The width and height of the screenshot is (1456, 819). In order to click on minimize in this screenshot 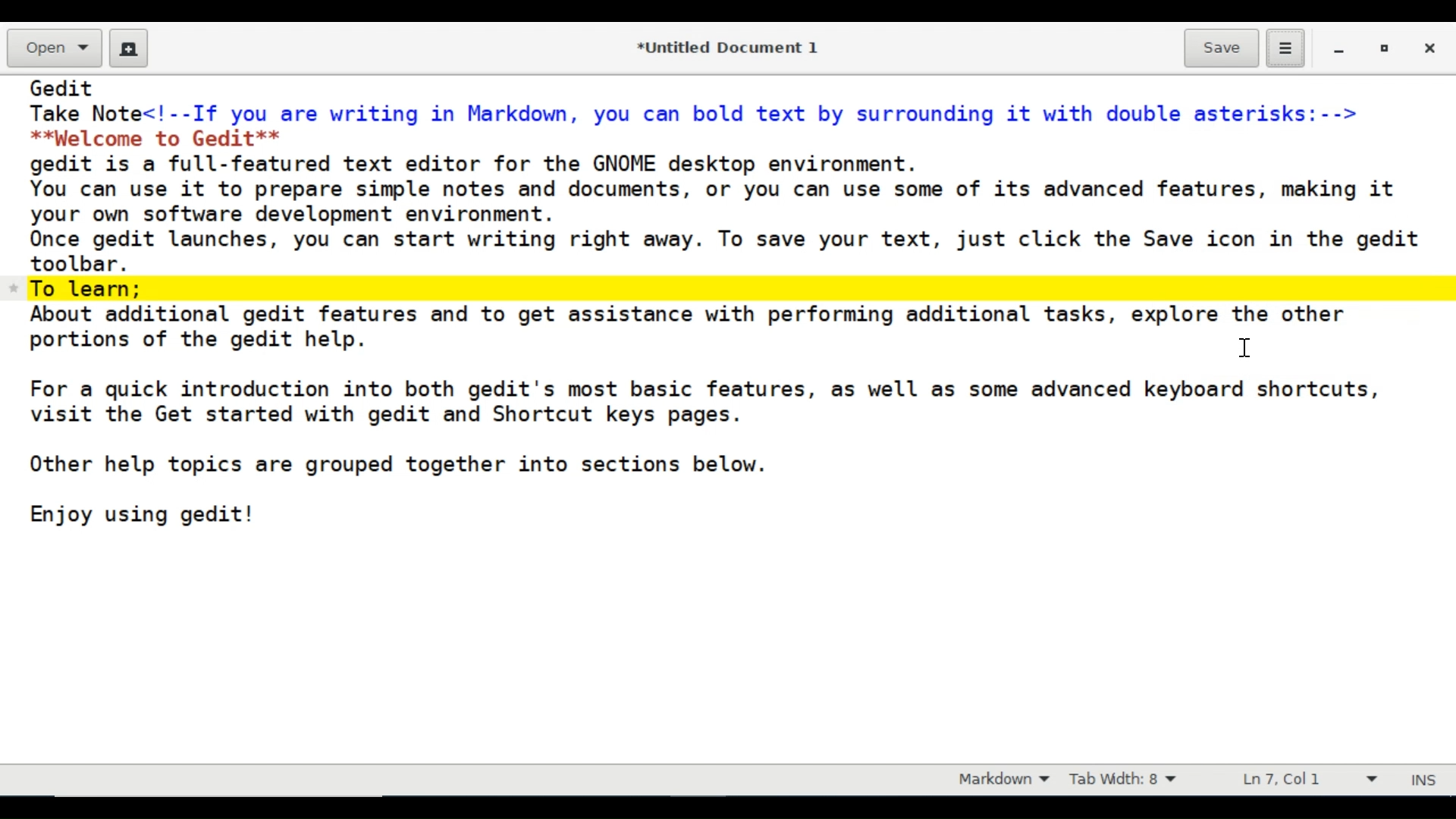, I will do `click(1341, 51)`.